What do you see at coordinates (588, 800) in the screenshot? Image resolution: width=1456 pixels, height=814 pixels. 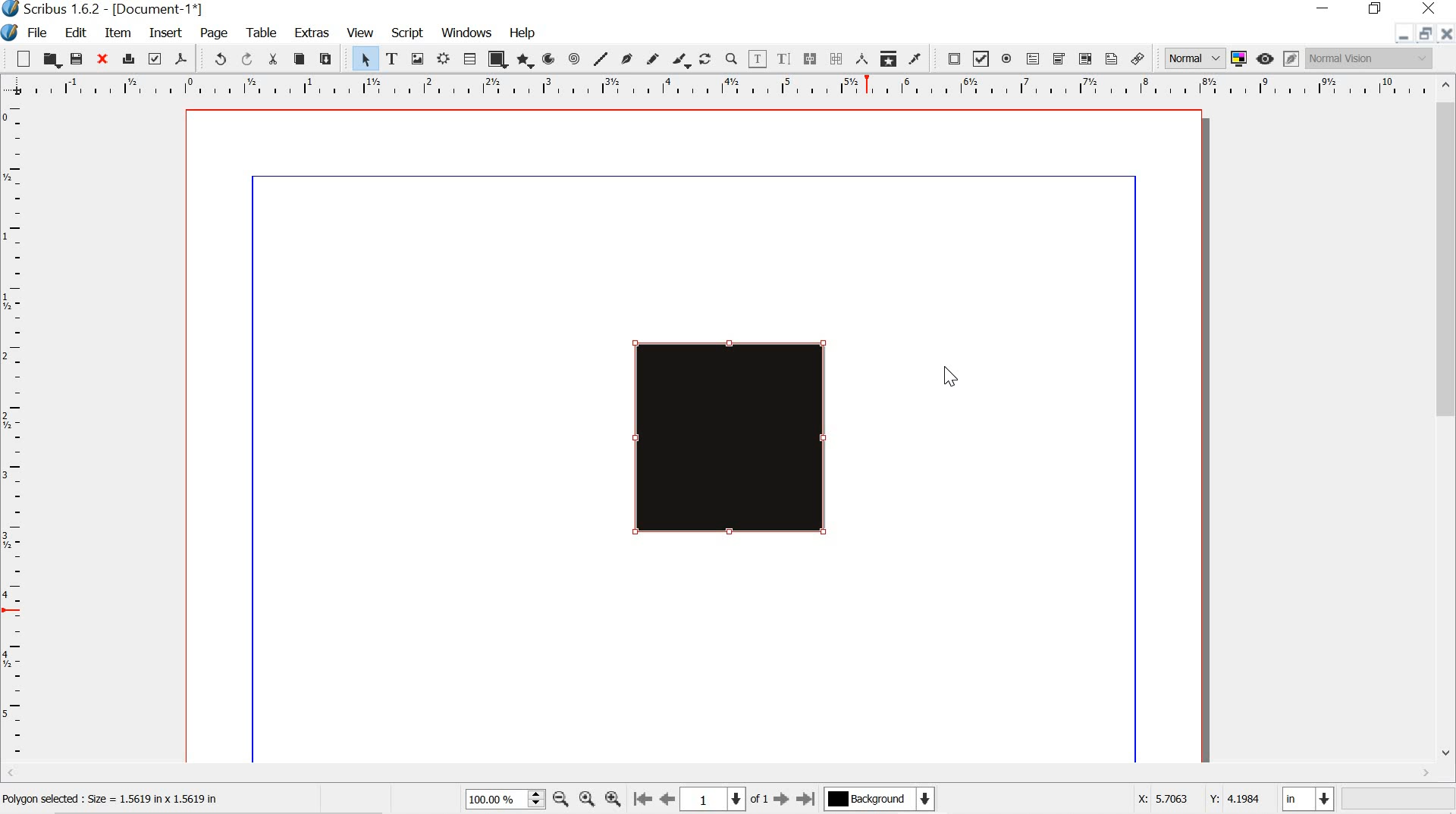 I see `zoom to` at bounding box center [588, 800].